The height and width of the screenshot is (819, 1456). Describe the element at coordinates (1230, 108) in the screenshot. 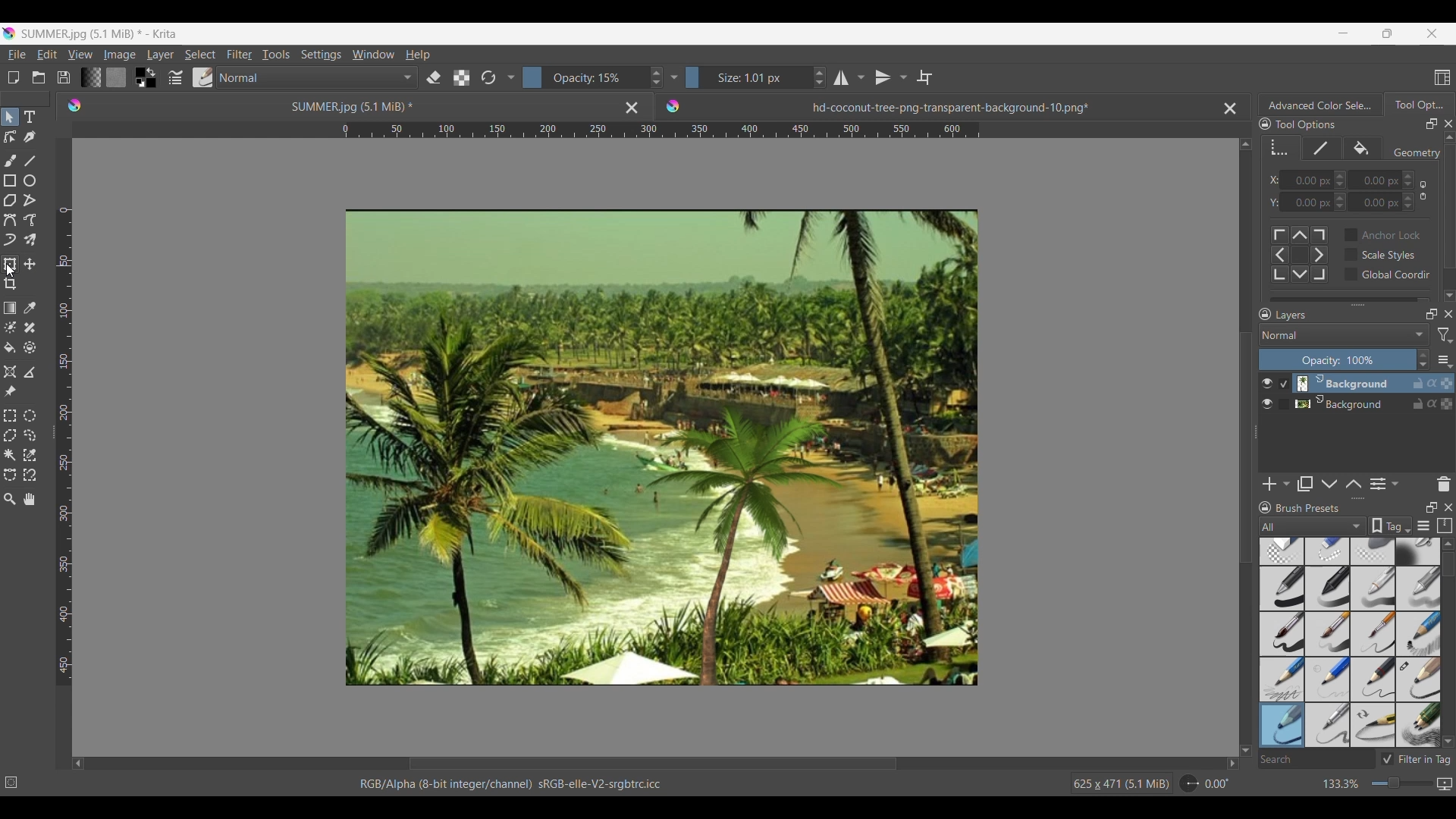

I see `Close tab 2` at that location.